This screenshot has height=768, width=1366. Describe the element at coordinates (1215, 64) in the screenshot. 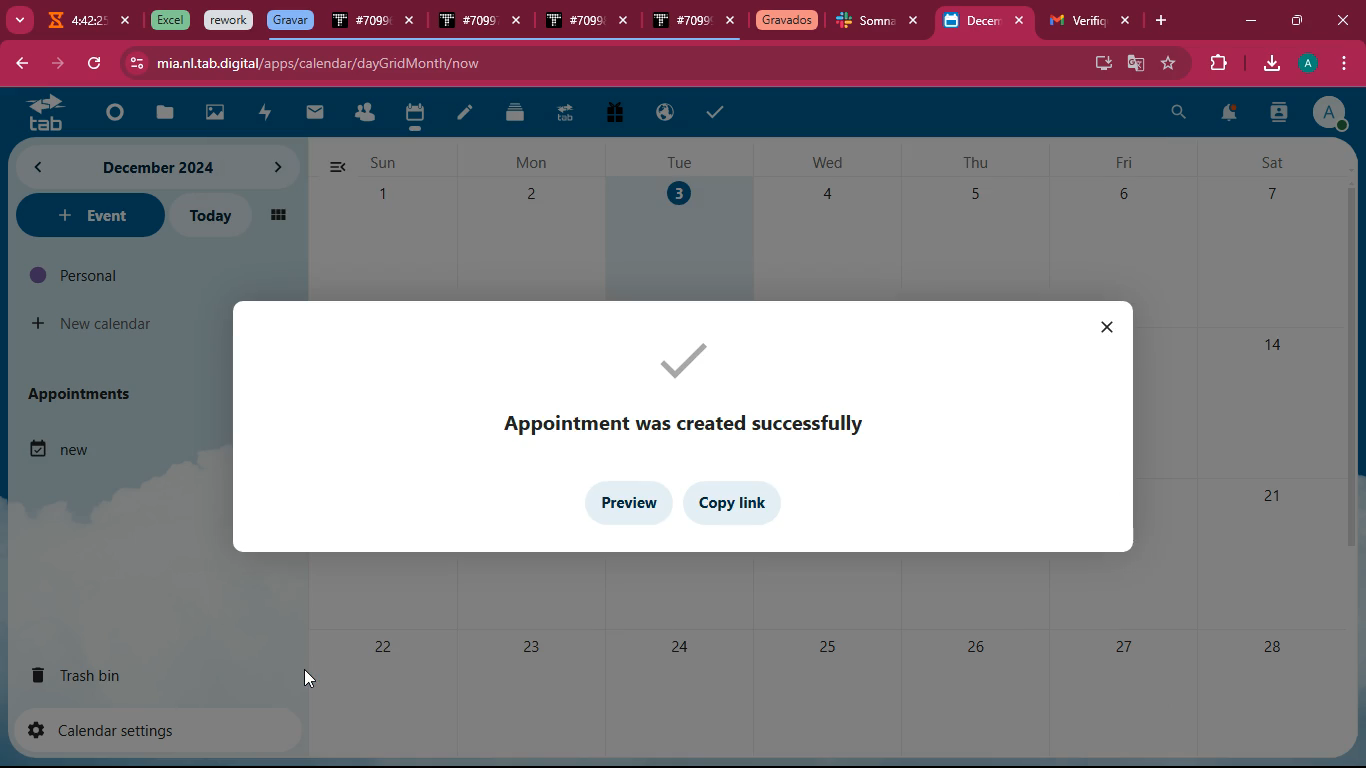

I see `extensions` at that location.